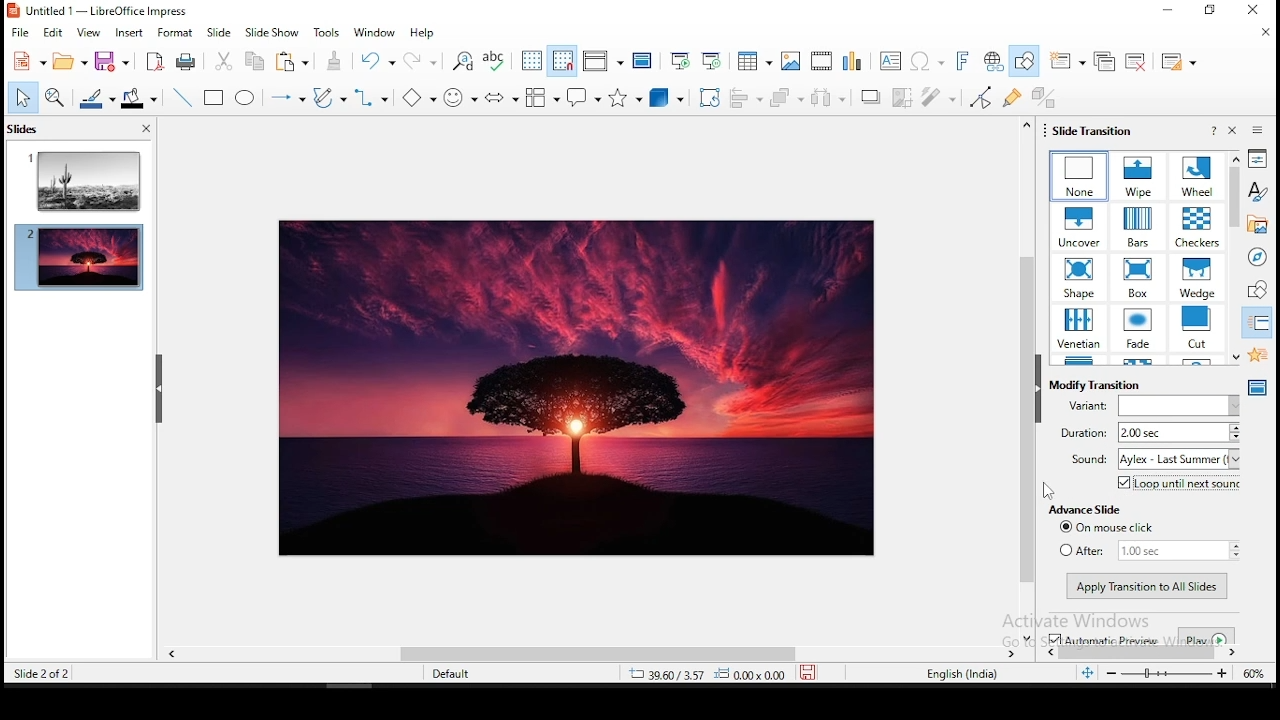 The image size is (1280, 720). Describe the element at coordinates (423, 36) in the screenshot. I see `help` at that location.